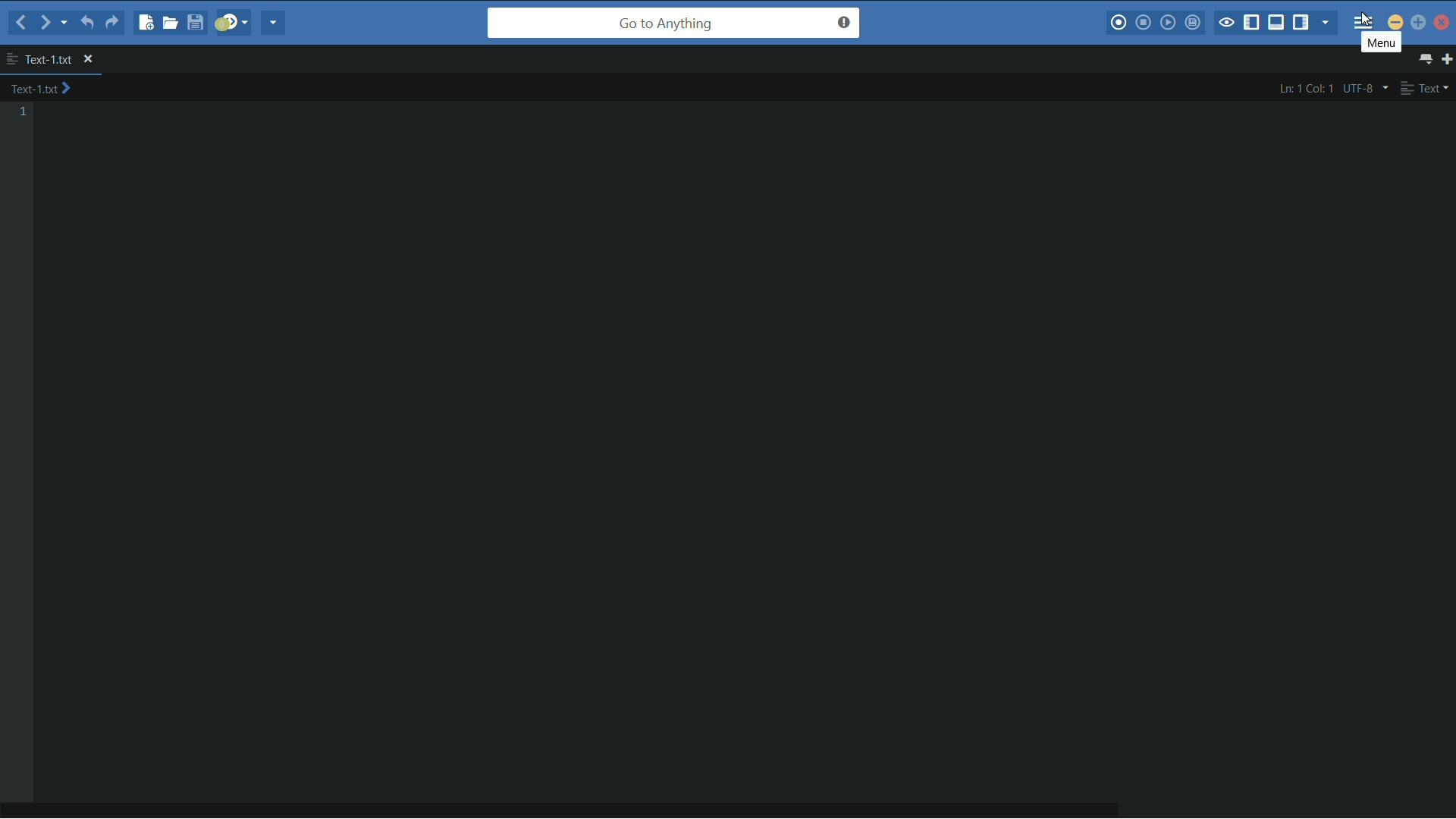 Image resolution: width=1456 pixels, height=819 pixels. What do you see at coordinates (42, 22) in the screenshot?
I see `forward` at bounding box center [42, 22].